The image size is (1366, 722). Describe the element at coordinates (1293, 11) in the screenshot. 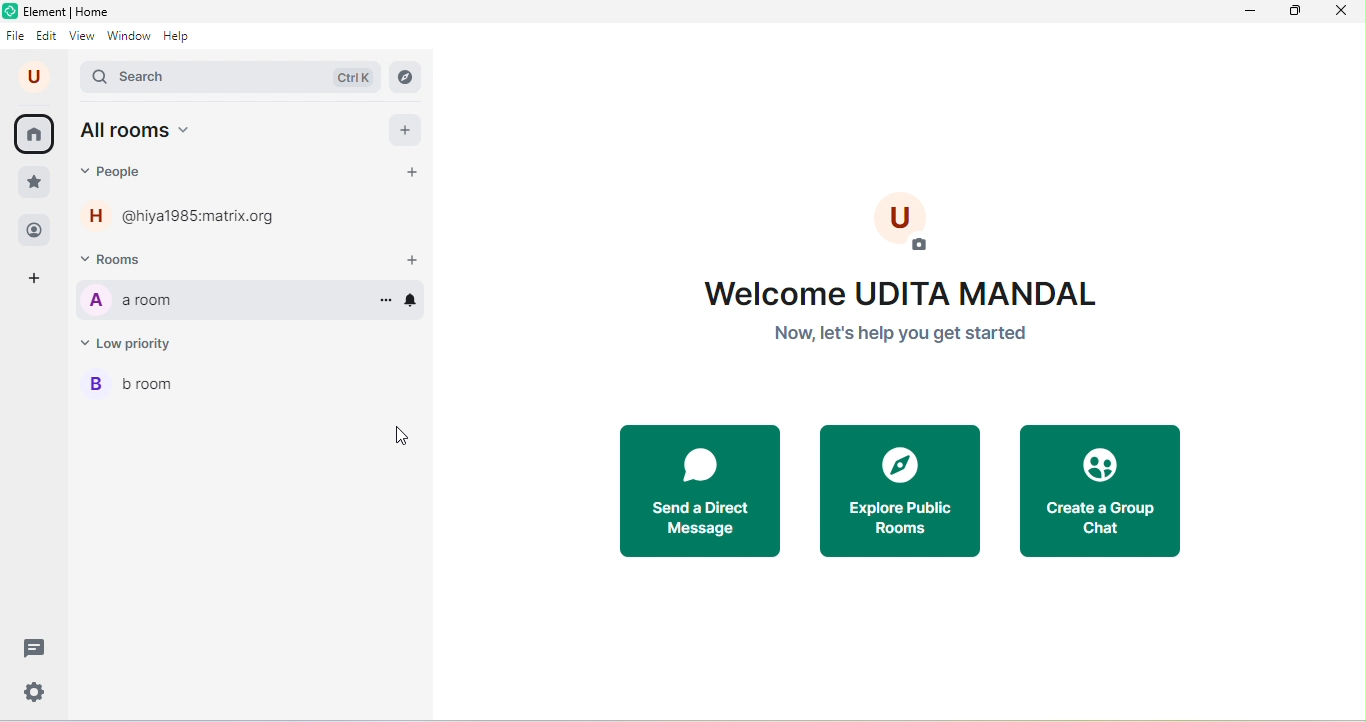

I see `maximize` at that location.